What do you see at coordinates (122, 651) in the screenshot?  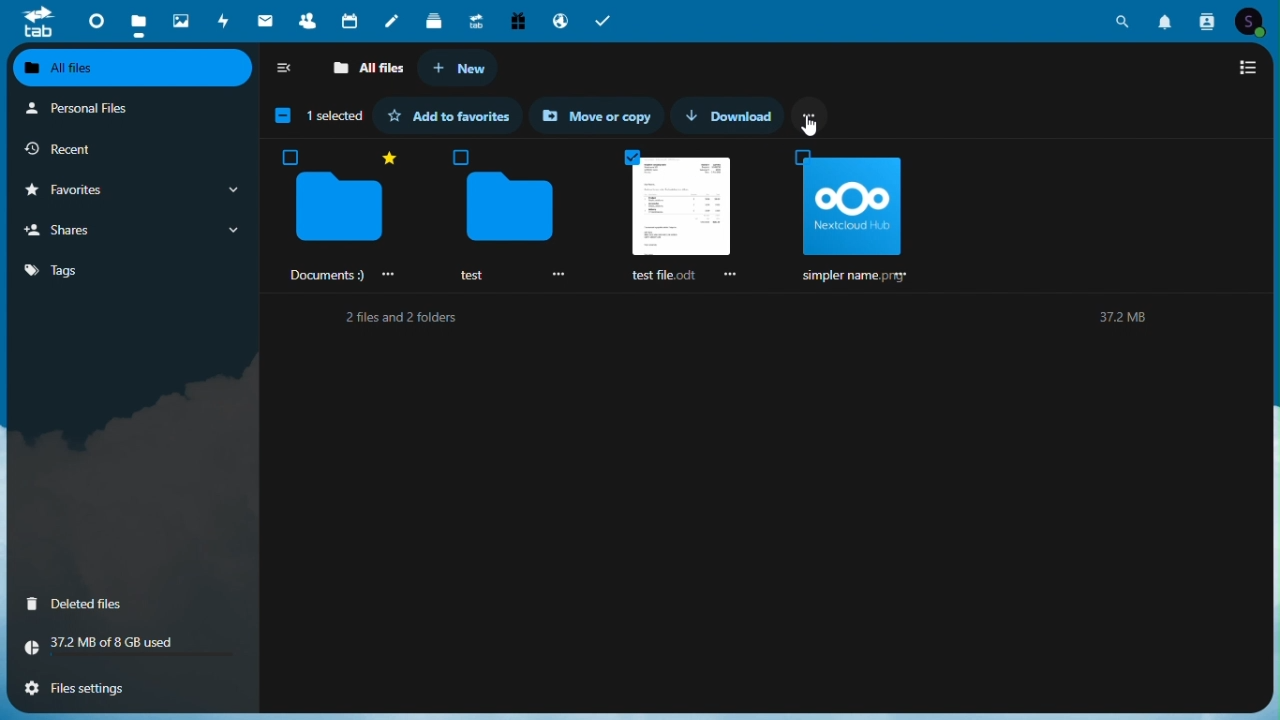 I see `Storage` at bounding box center [122, 651].